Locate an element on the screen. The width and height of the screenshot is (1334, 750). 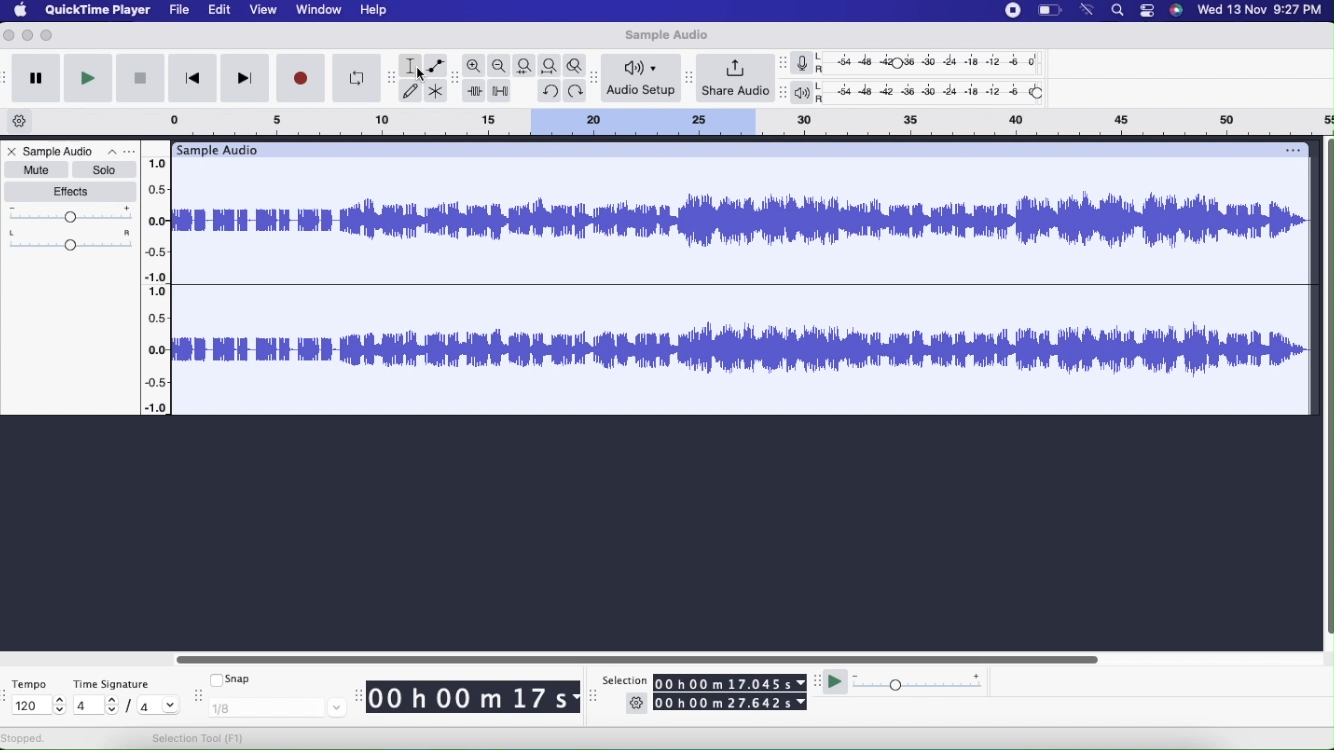
Playback meter is located at coordinates (806, 94).